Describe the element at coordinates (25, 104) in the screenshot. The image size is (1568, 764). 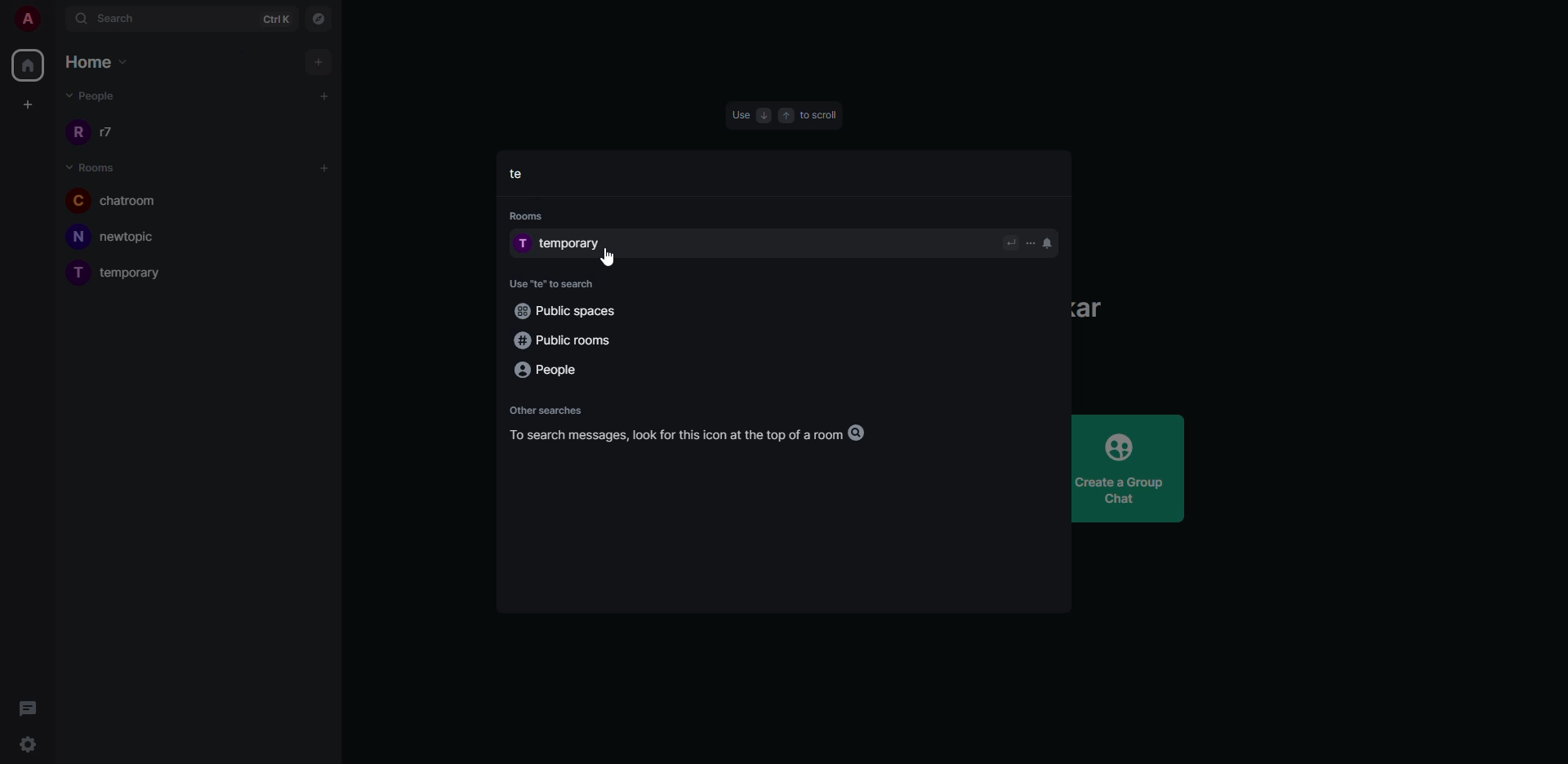
I see `create space` at that location.